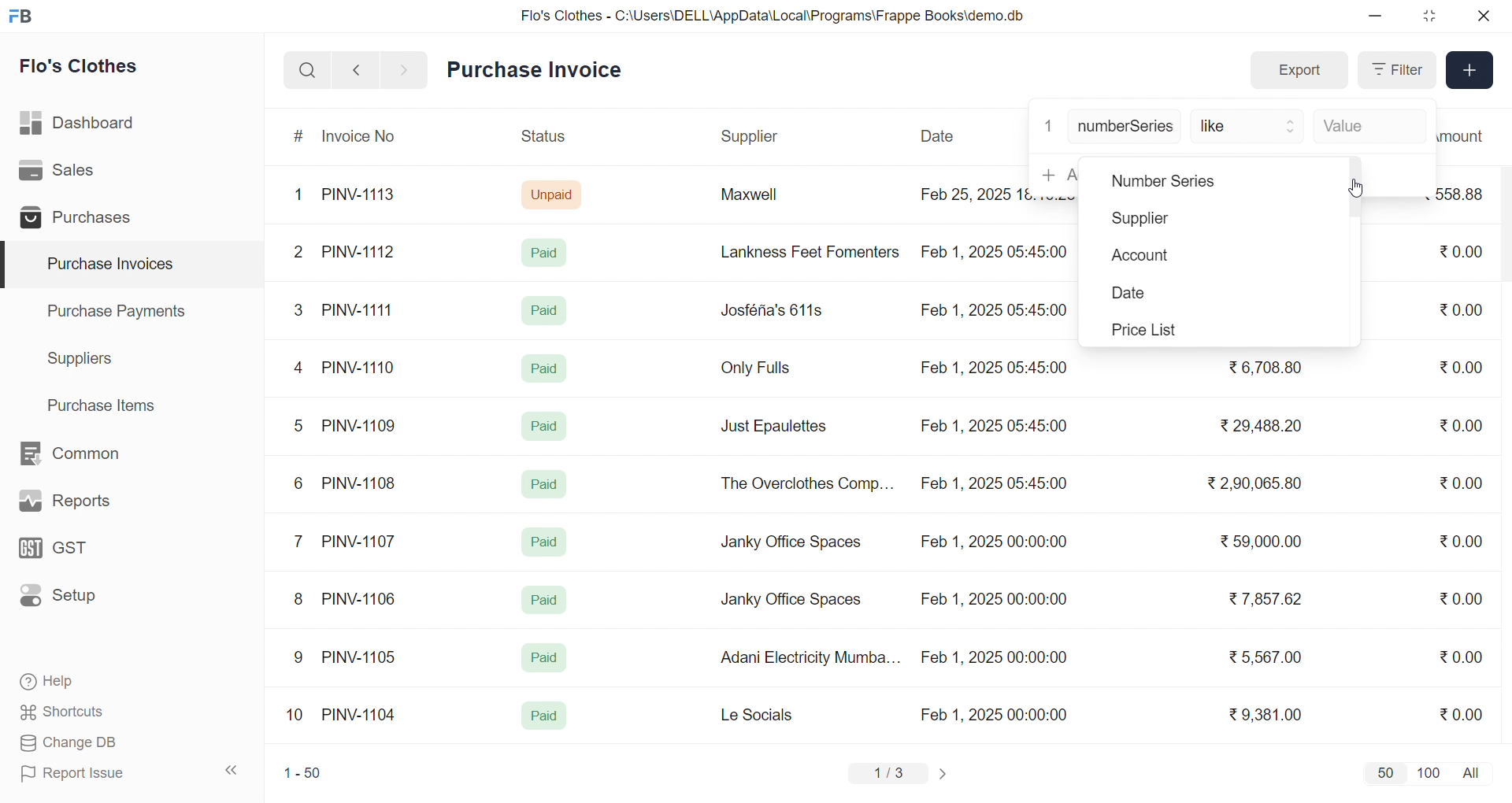 This screenshot has width=1512, height=803. I want to click on Adani Electricity Mumba..., so click(812, 658).